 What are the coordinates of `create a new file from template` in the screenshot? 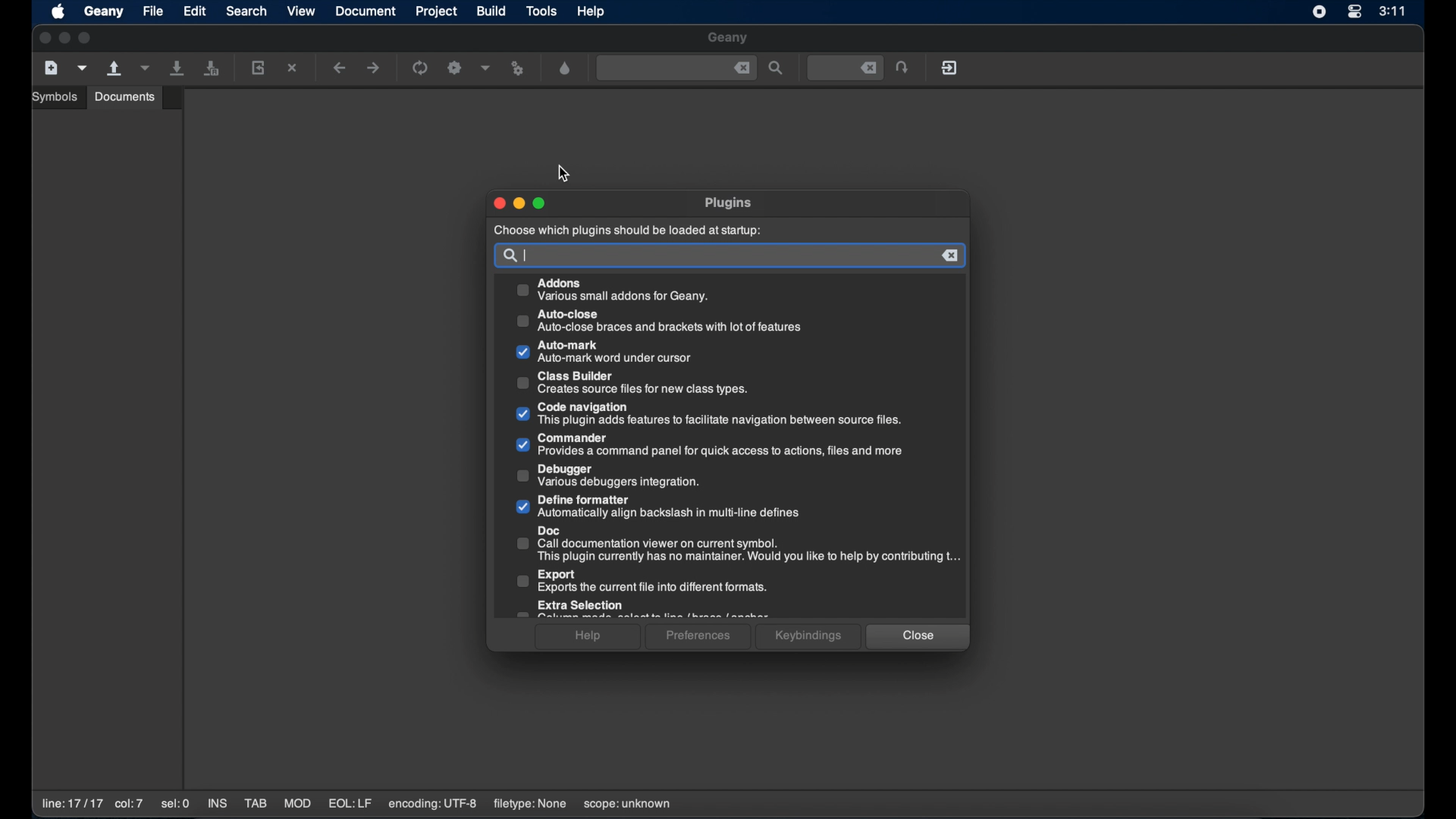 It's located at (83, 68).